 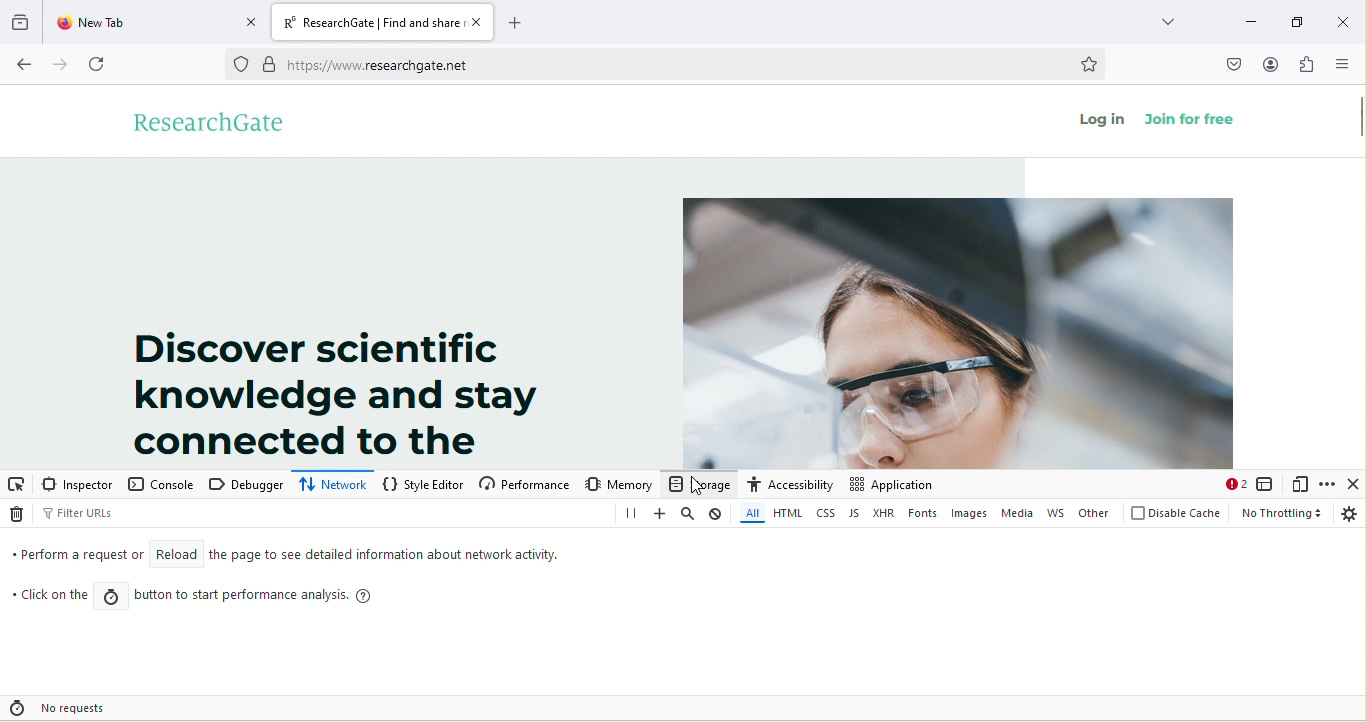 I want to click on html, so click(x=788, y=514).